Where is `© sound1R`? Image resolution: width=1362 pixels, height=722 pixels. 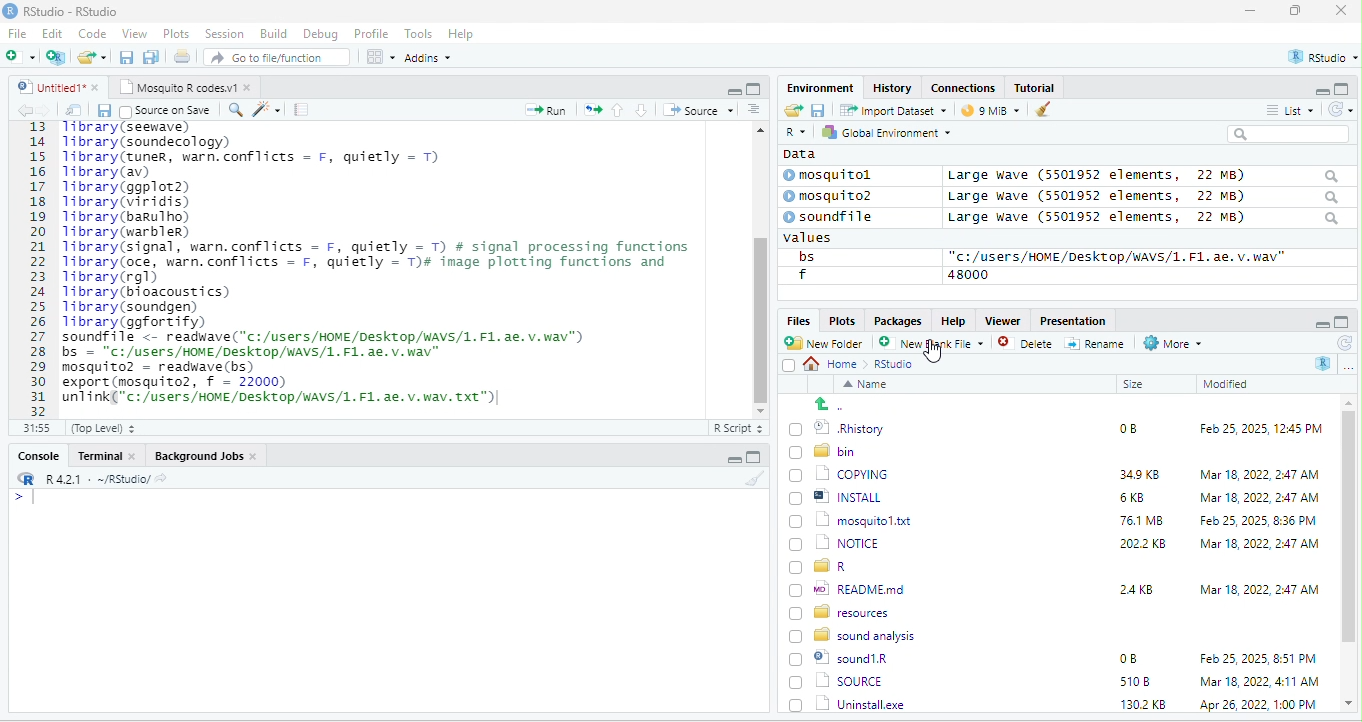
© sound1R is located at coordinates (842, 660).